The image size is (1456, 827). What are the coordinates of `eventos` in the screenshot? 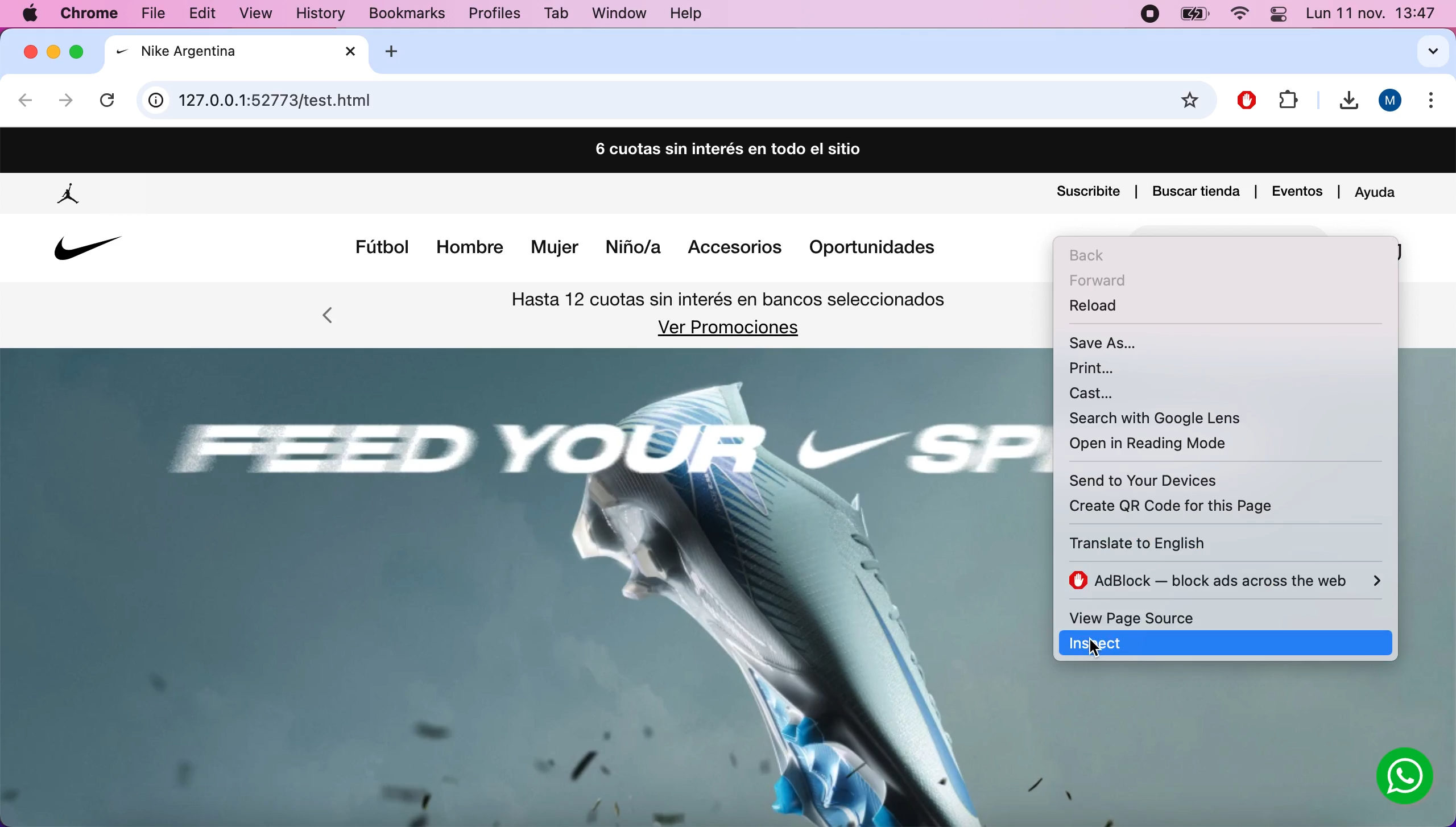 It's located at (1298, 189).